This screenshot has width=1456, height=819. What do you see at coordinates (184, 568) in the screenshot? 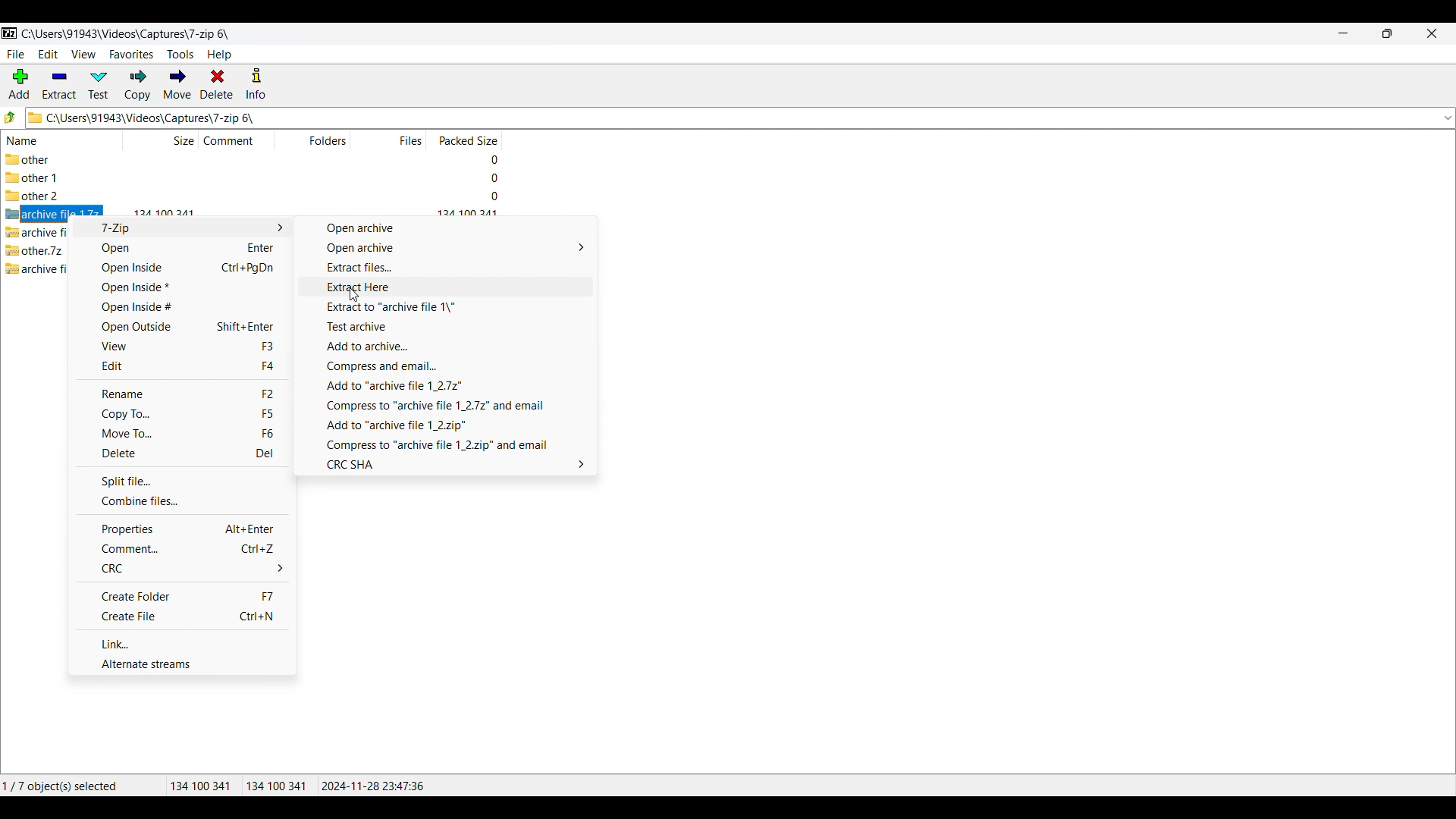
I see `CRC` at bounding box center [184, 568].